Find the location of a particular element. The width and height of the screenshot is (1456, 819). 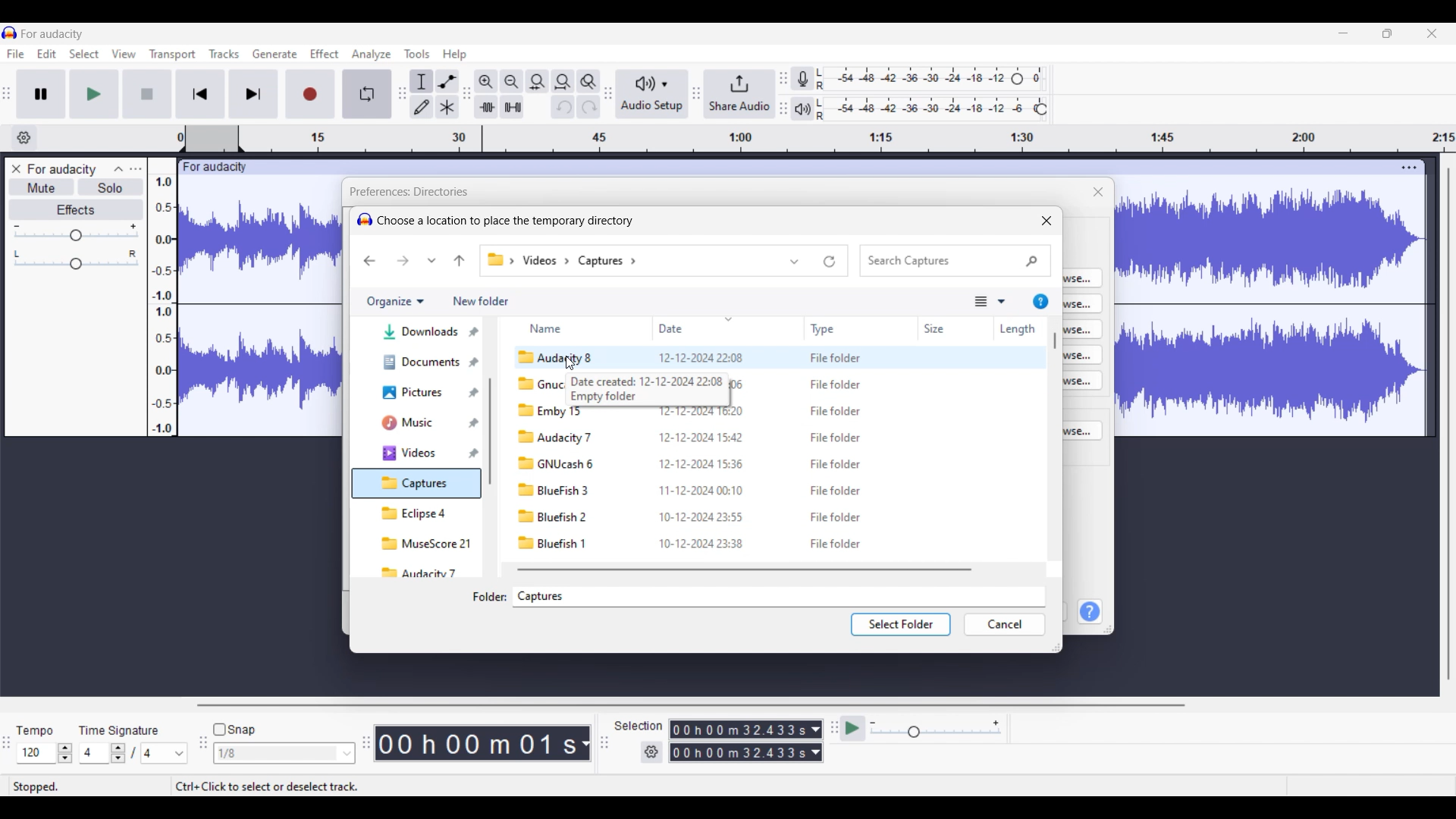

file folder is located at coordinates (836, 385).